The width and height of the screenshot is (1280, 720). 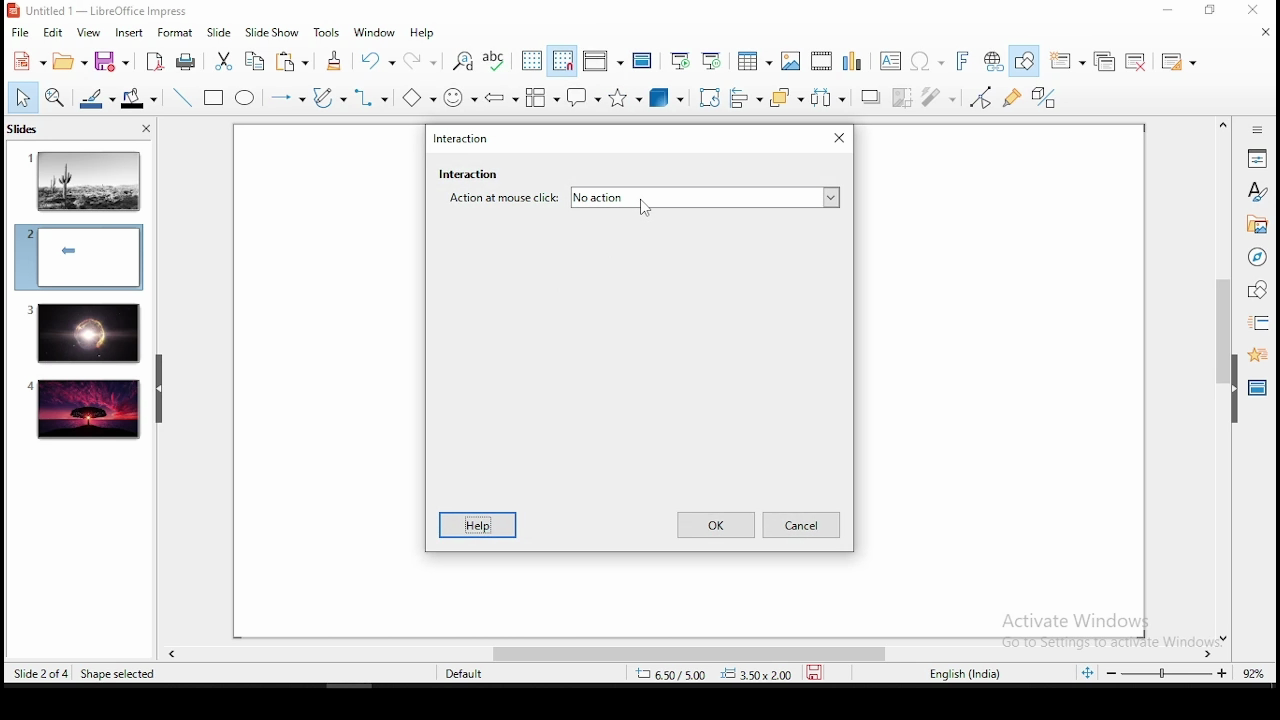 I want to click on 3D objects, so click(x=664, y=99).